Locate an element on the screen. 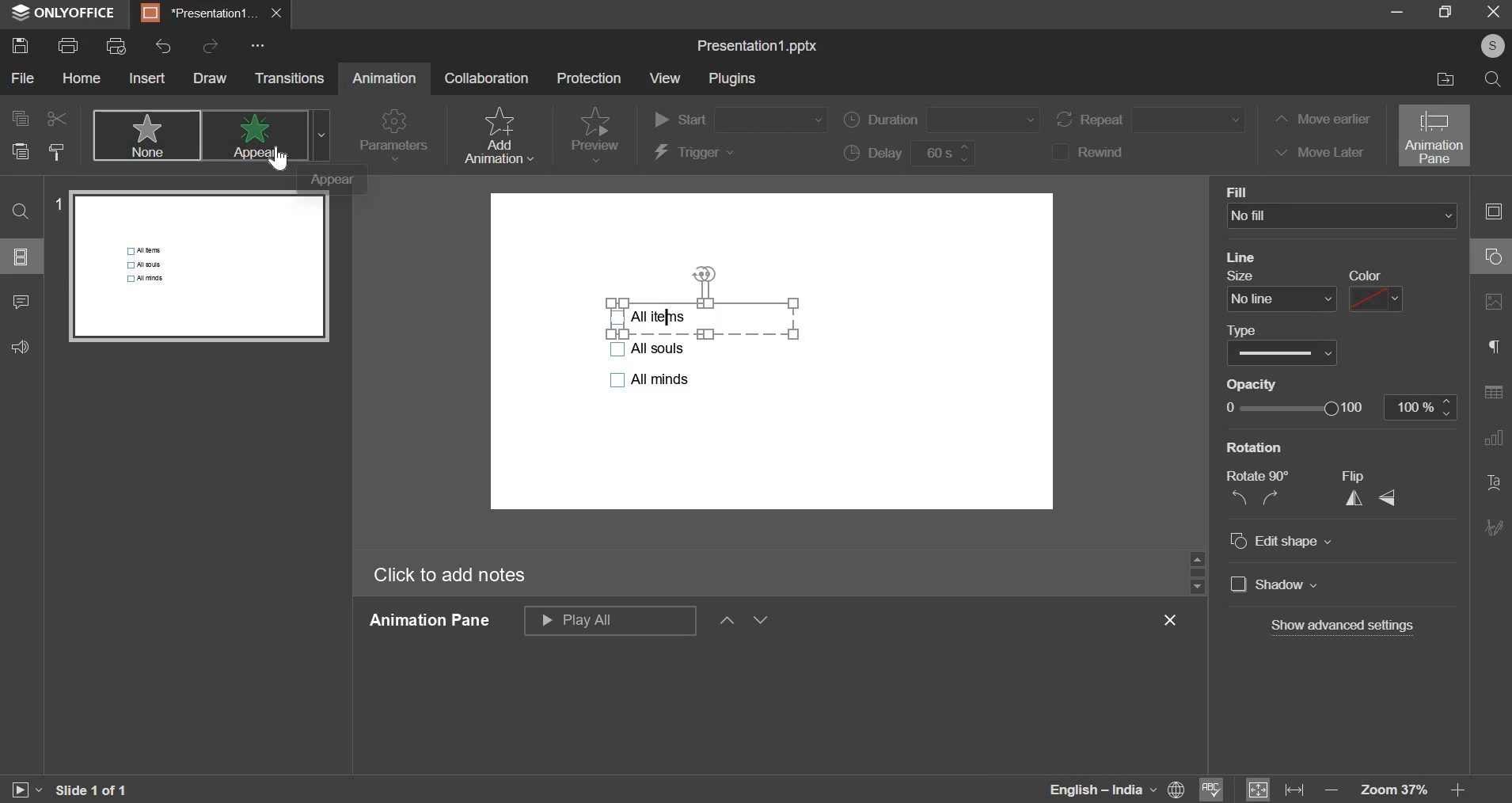 Image resolution: width=1512 pixels, height=803 pixels. minimize is located at coordinates (1394, 16).